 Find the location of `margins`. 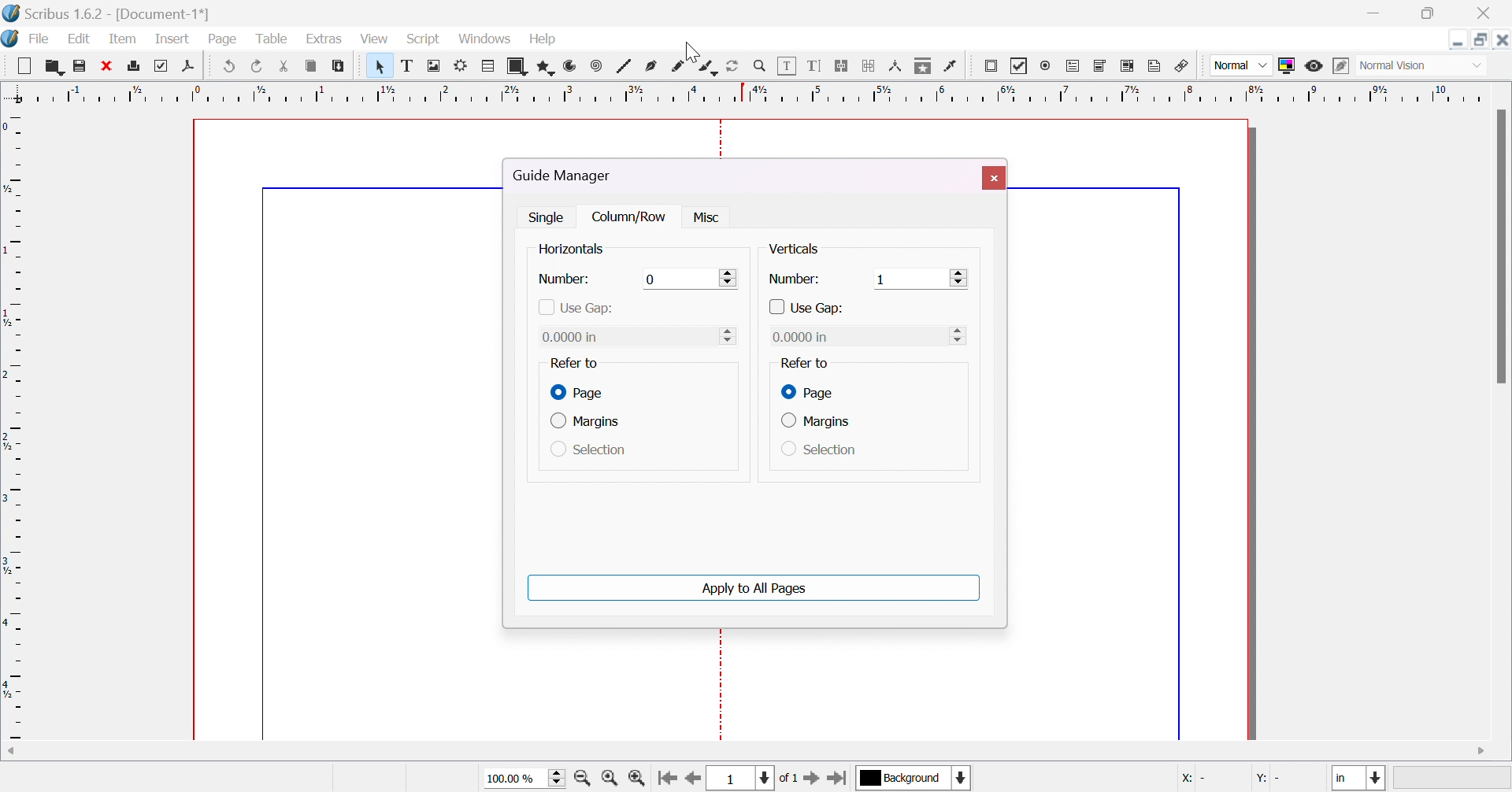

margins is located at coordinates (816, 421).